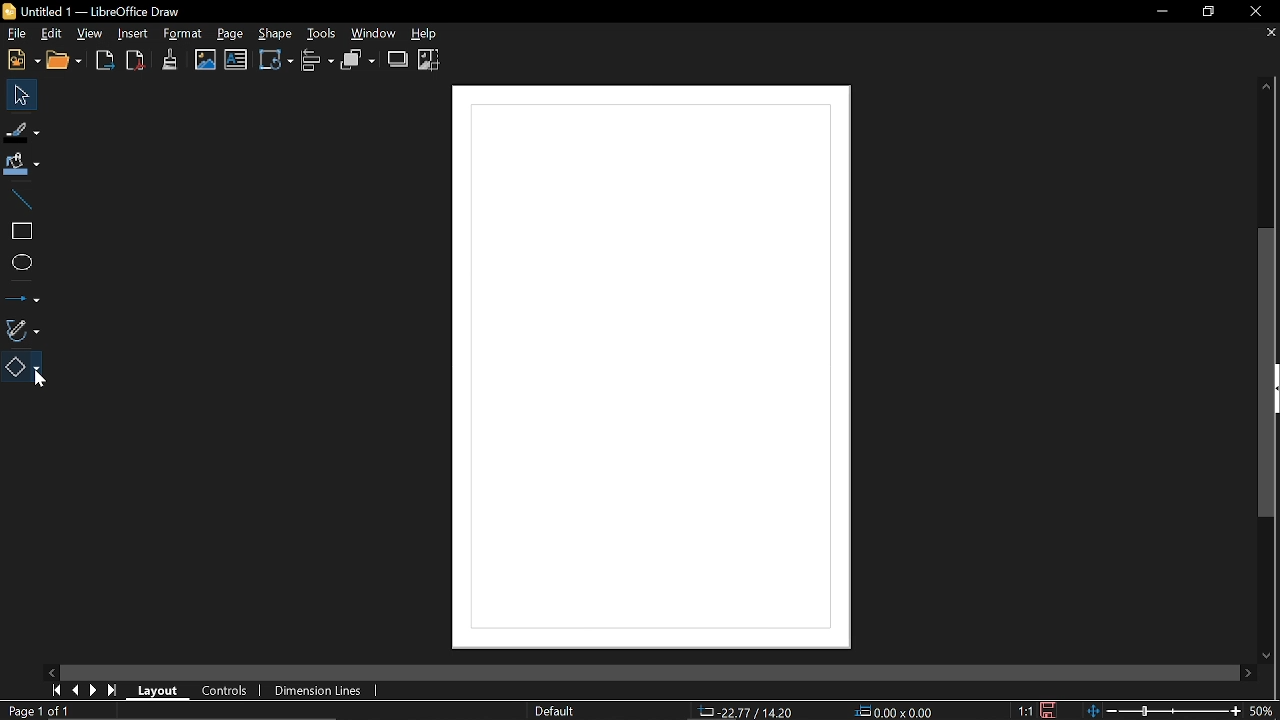 This screenshot has width=1280, height=720. Describe the element at coordinates (41, 711) in the screenshot. I see `Current page` at that location.